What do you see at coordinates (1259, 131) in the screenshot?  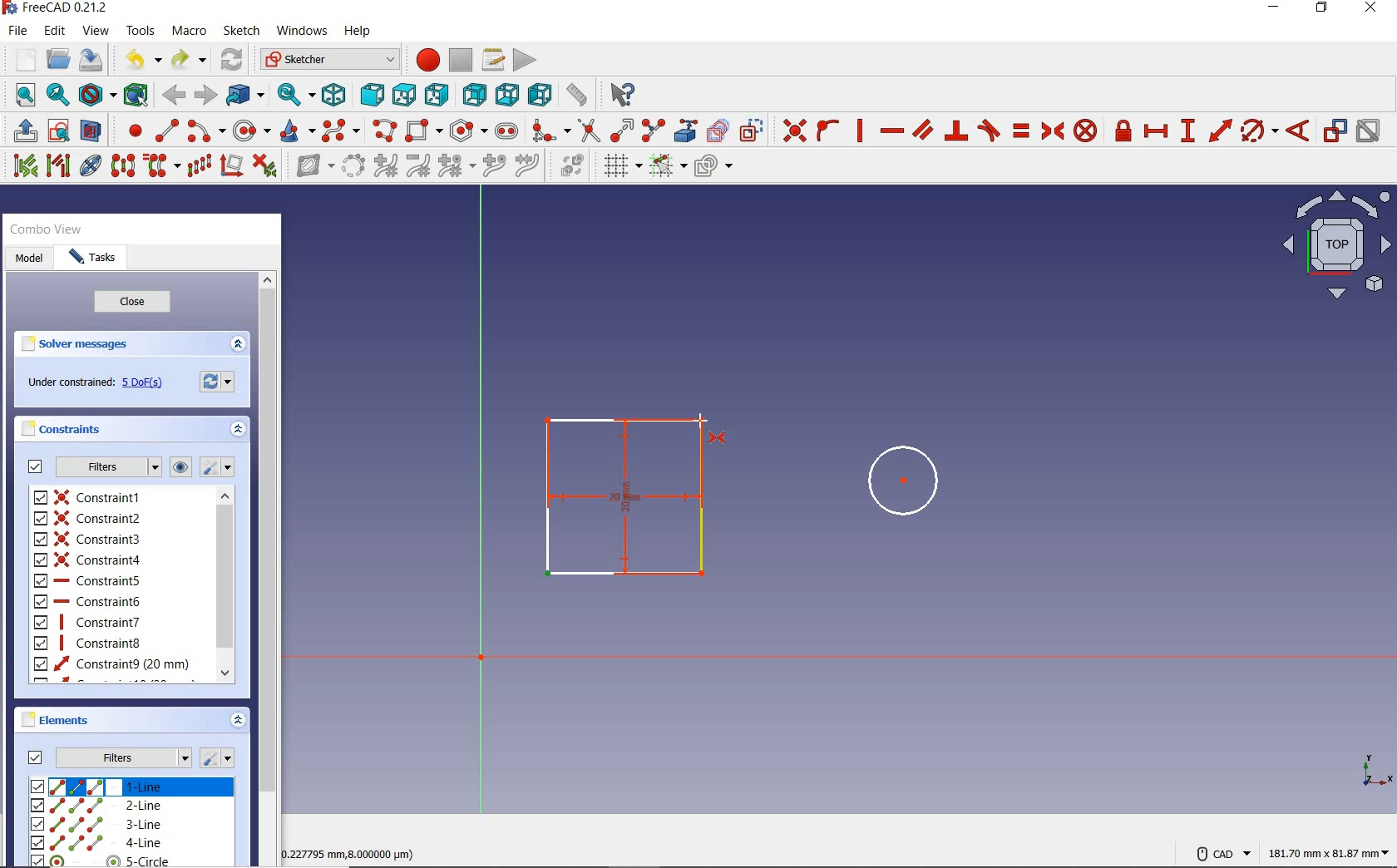 I see `constrain arc or circle` at bounding box center [1259, 131].